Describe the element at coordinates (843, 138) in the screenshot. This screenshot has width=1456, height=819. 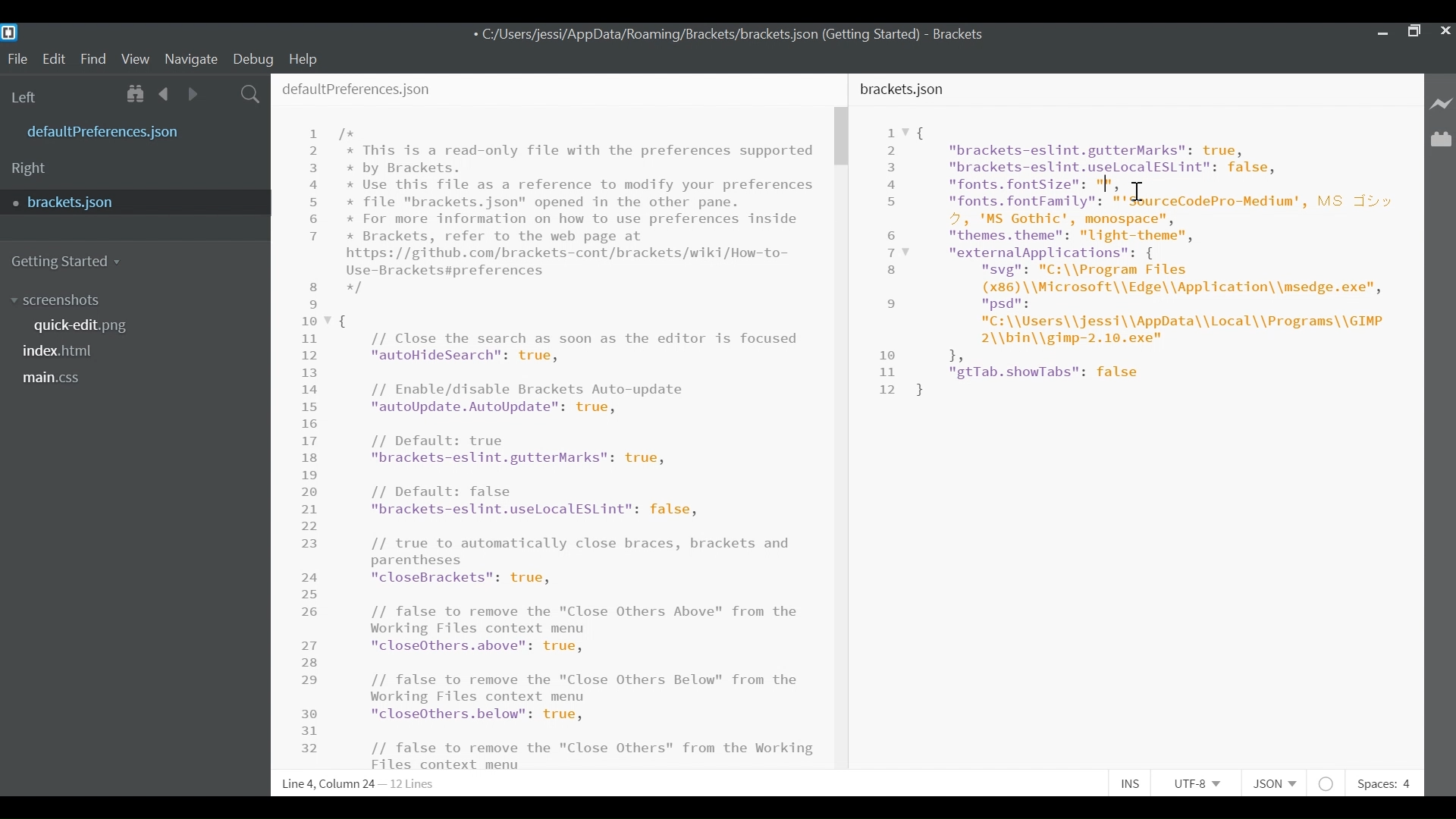
I see `Vertical Scroll bar` at that location.